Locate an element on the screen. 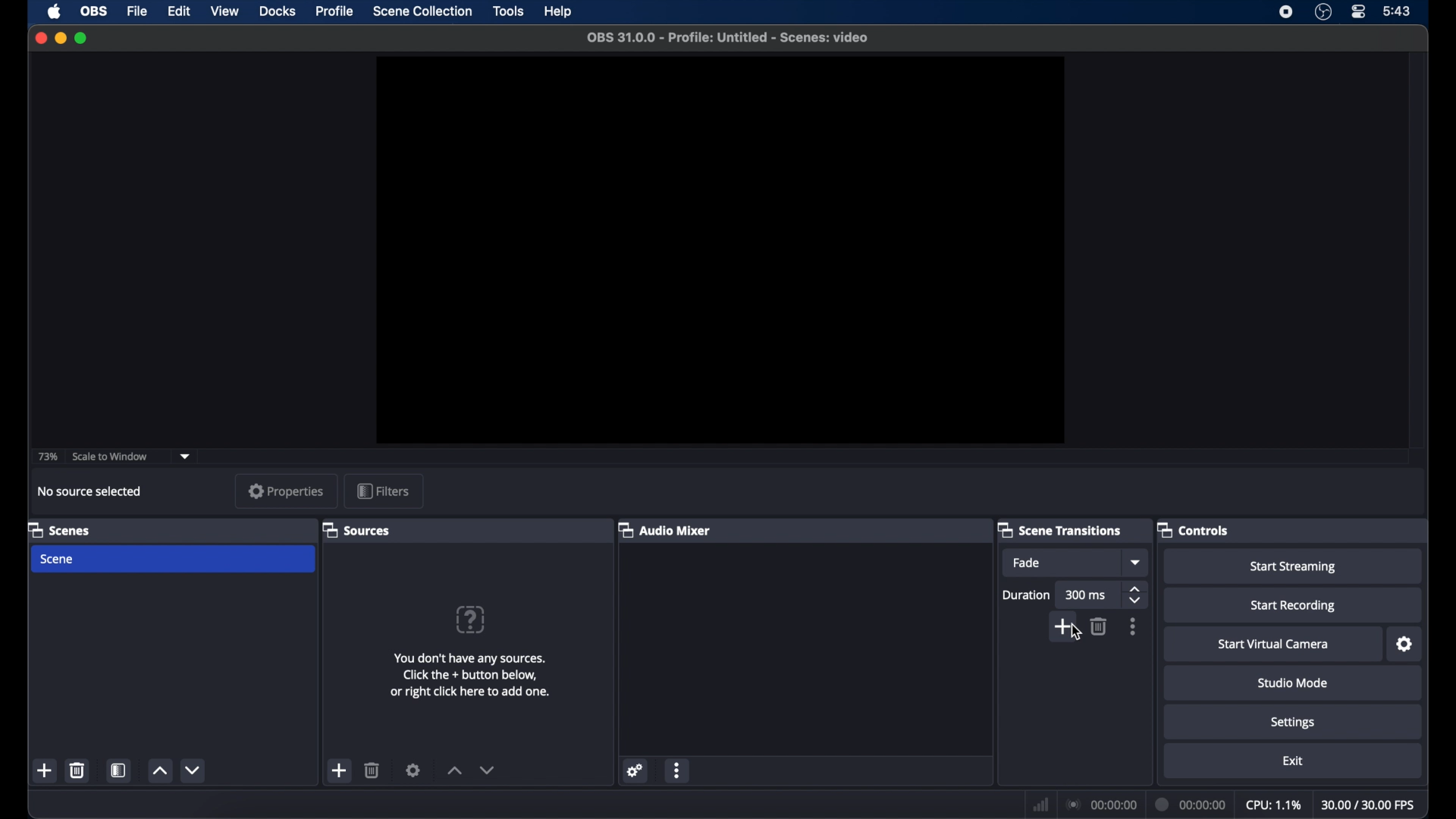 This screenshot has width=1456, height=819. duration is located at coordinates (1191, 805).